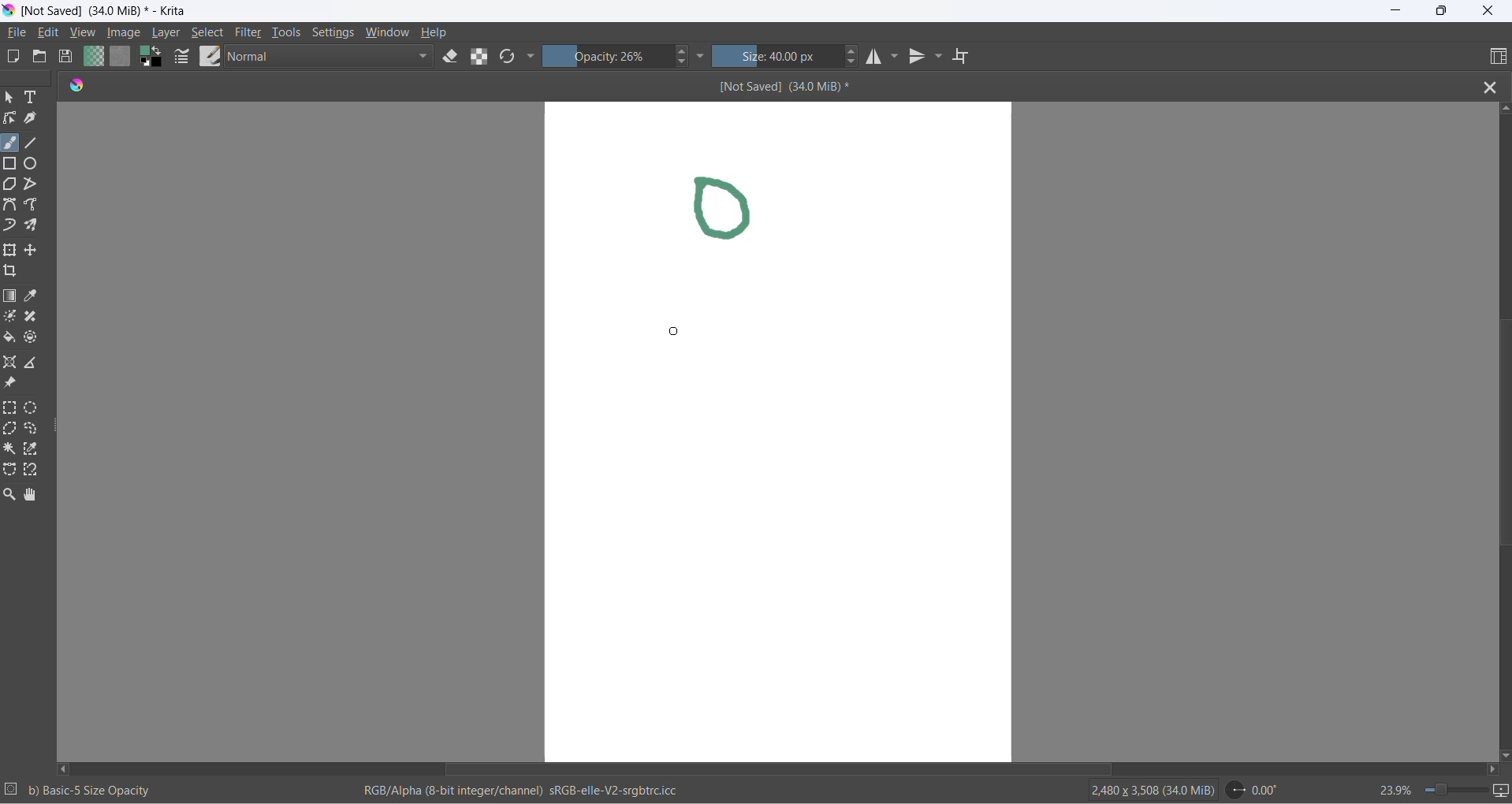  Describe the element at coordinates (1497, 769) in the screenshot. I see `scroll right button` at that location.